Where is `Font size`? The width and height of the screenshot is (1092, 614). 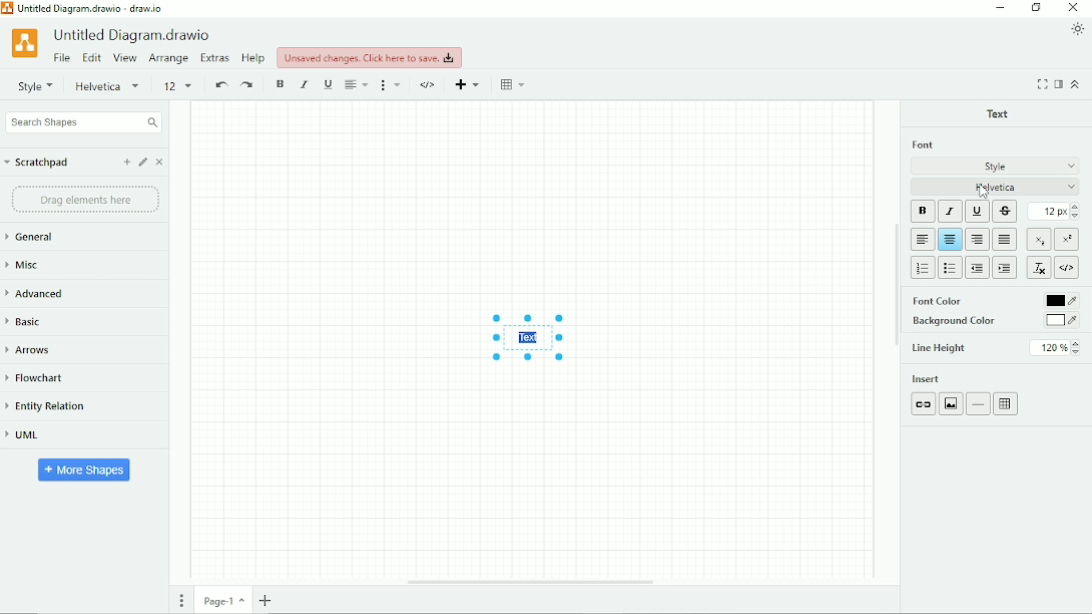 Font size is located at coordinates (179, 87).